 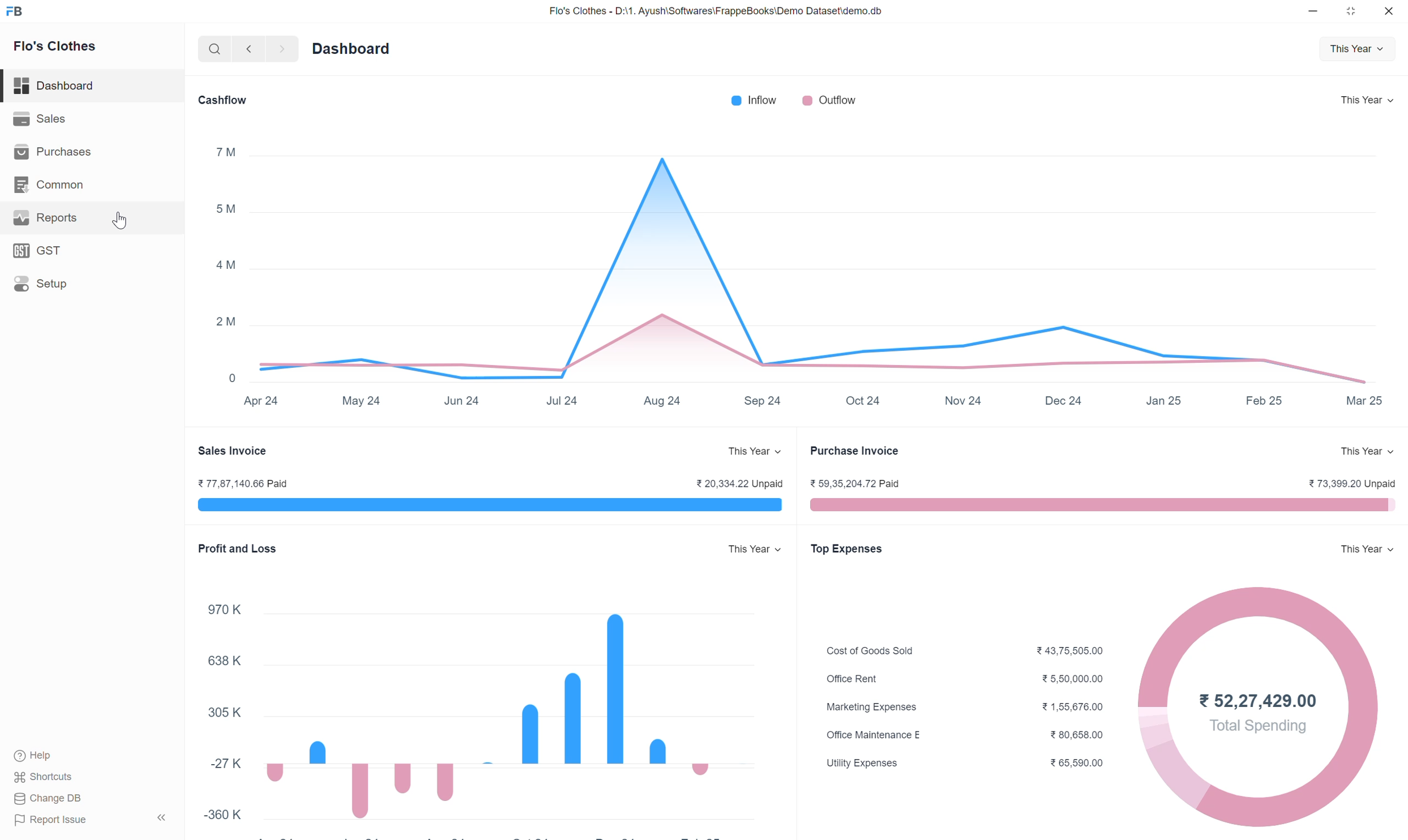 What do you see at coordinates (57, 49) in the screenshot?
I see `Flo's Clothes` at bounding box center [57, 49].